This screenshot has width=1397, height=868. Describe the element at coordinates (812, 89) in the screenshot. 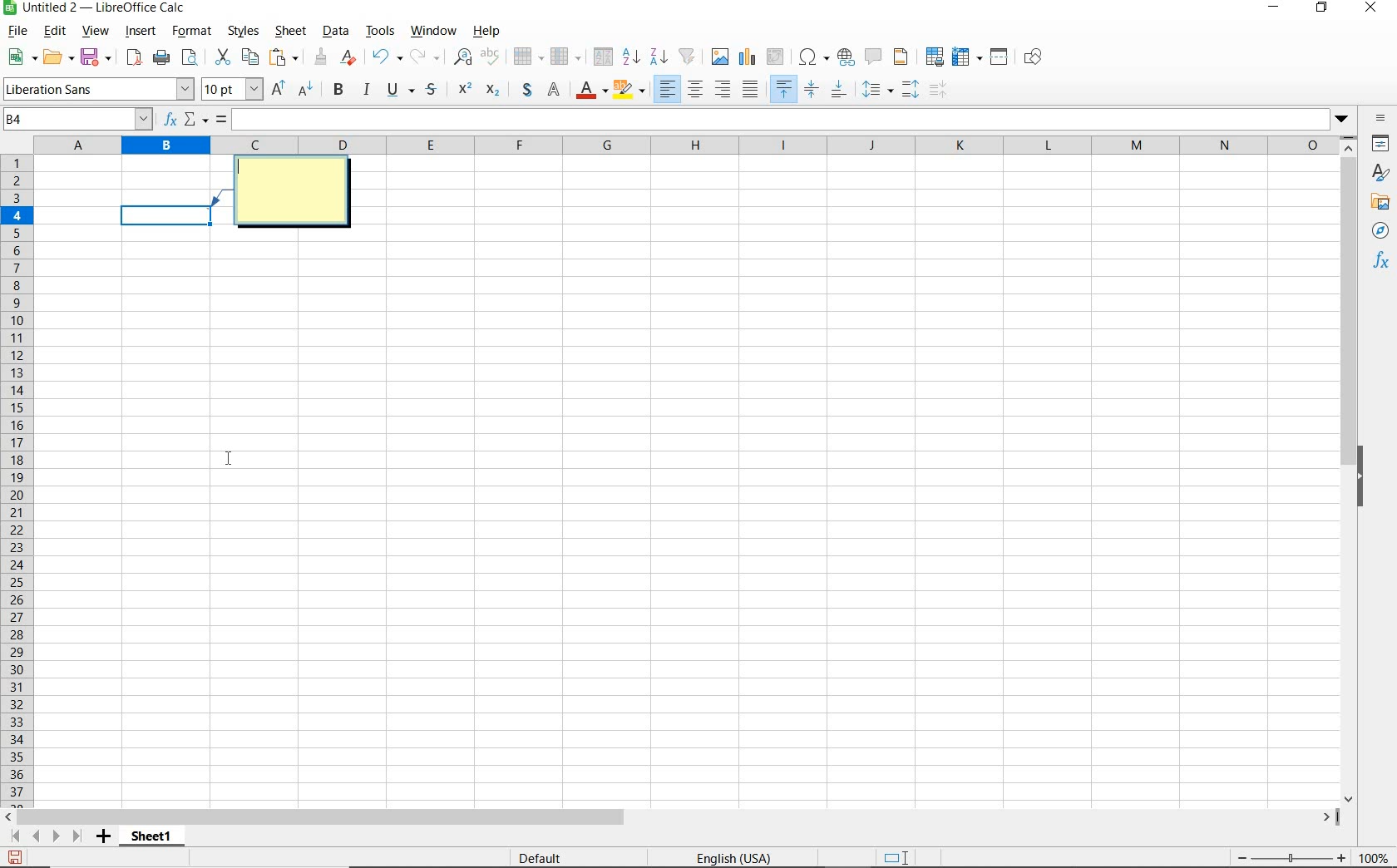

I see `center vertically` at that location.